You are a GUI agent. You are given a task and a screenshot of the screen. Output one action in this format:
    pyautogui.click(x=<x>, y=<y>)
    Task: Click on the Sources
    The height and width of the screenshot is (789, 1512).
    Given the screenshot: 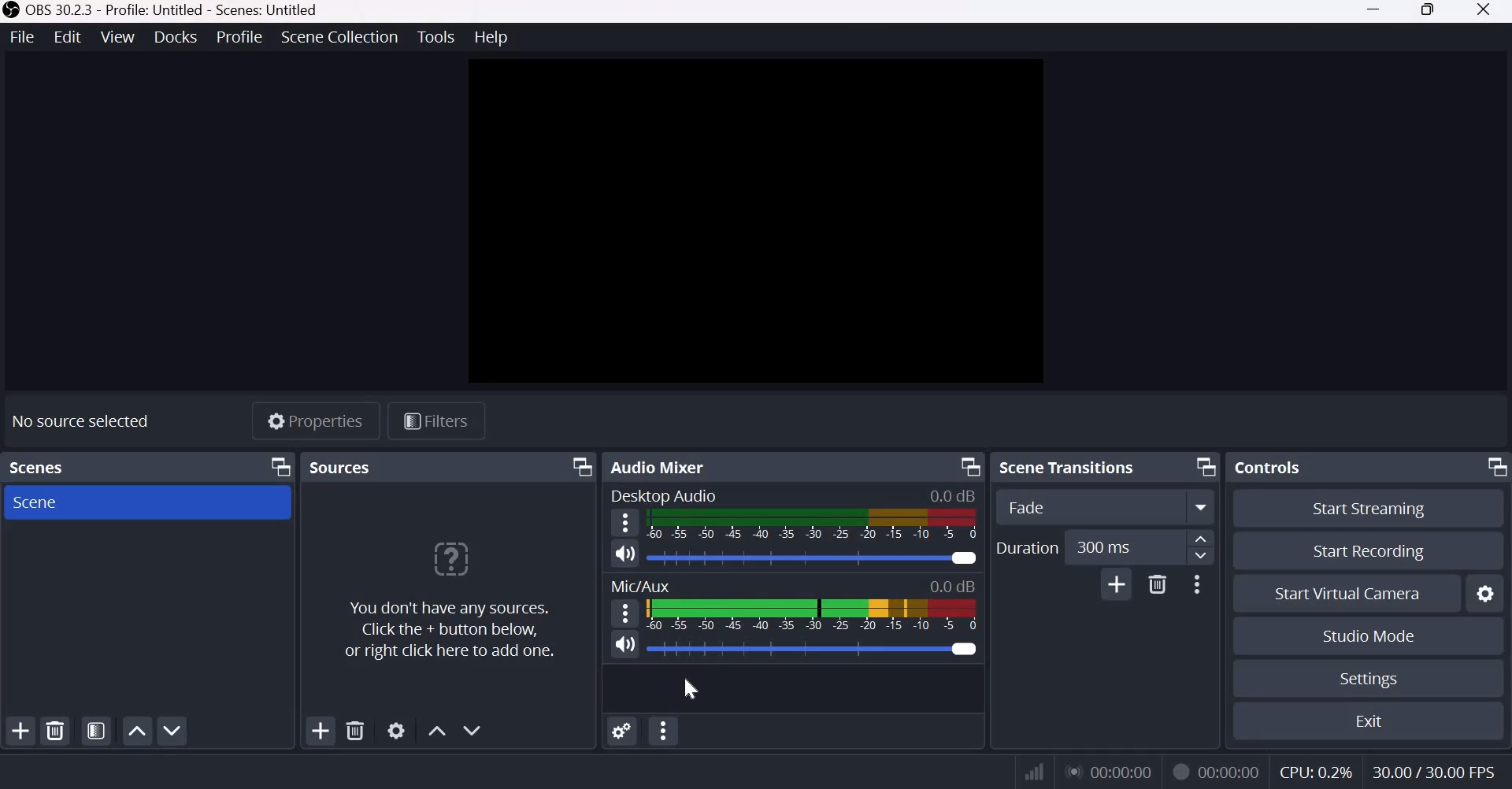 What is the action you would take?
    pyautogui.click(x=343, y=467)
    